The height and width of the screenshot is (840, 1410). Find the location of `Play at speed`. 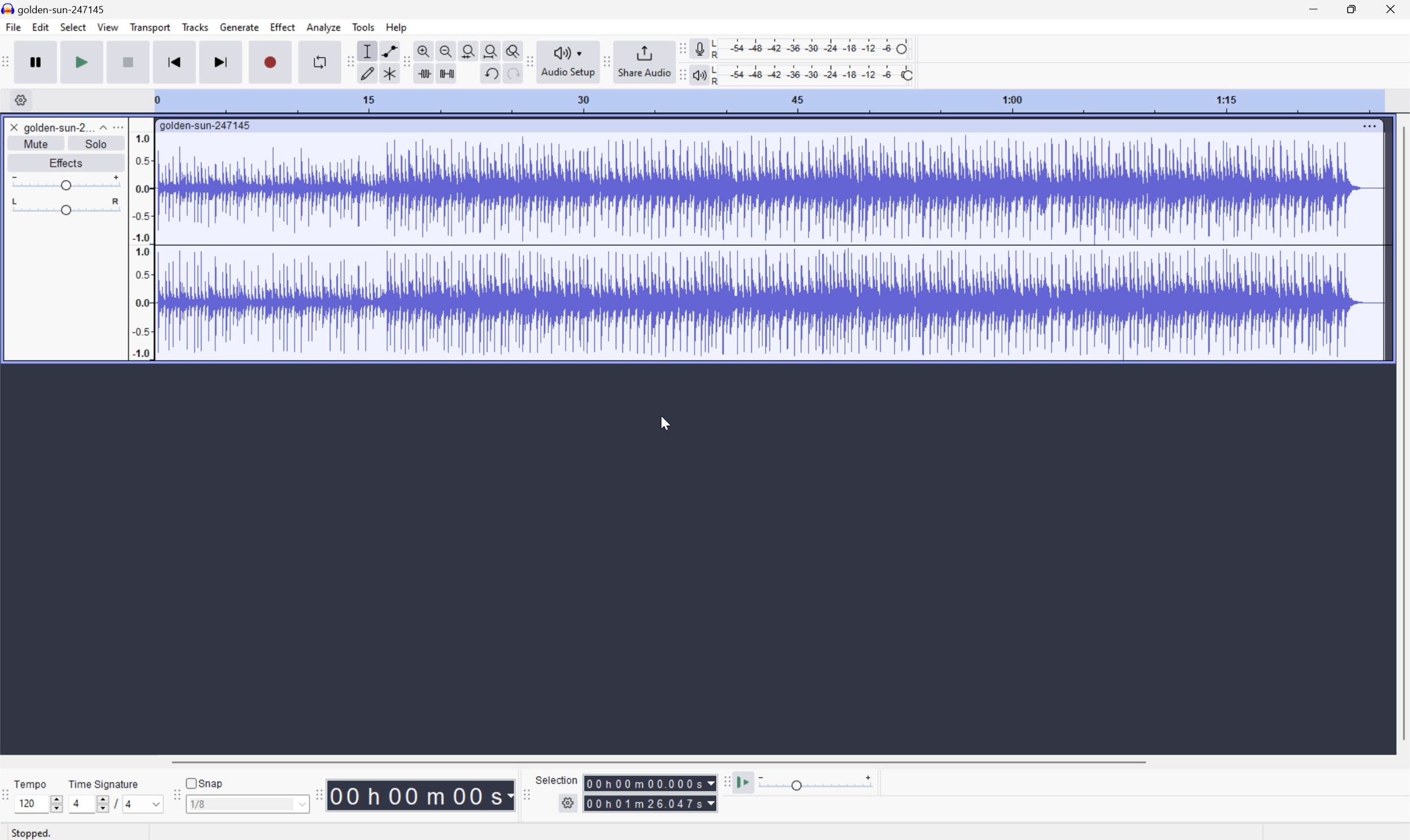

Play at speed is located at coordinates (746, 781).